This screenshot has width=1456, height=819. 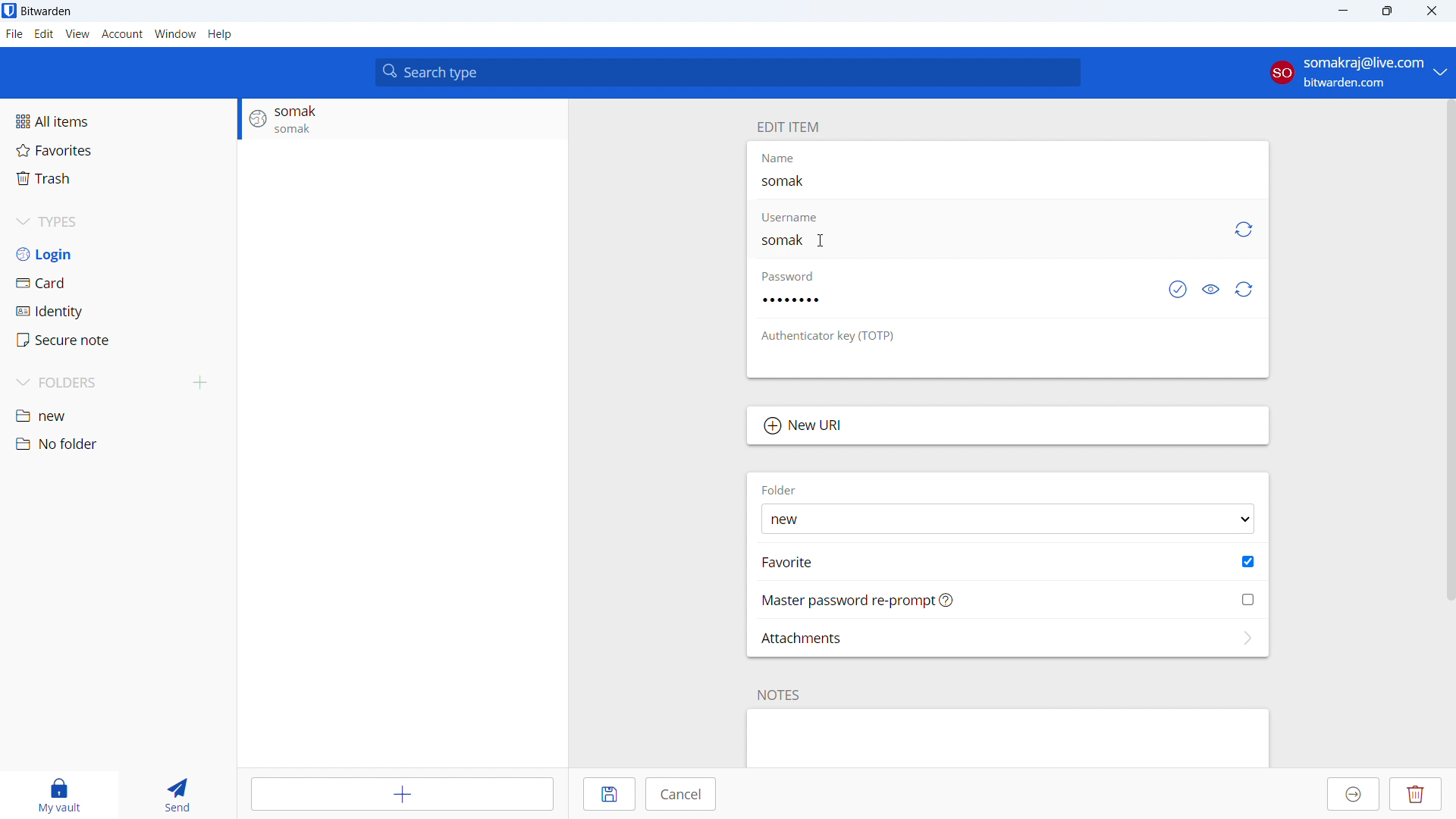 What do you see at coordinates (60, 795) in the screenshot?
I see `my vault` at bounding box center [60, 795].